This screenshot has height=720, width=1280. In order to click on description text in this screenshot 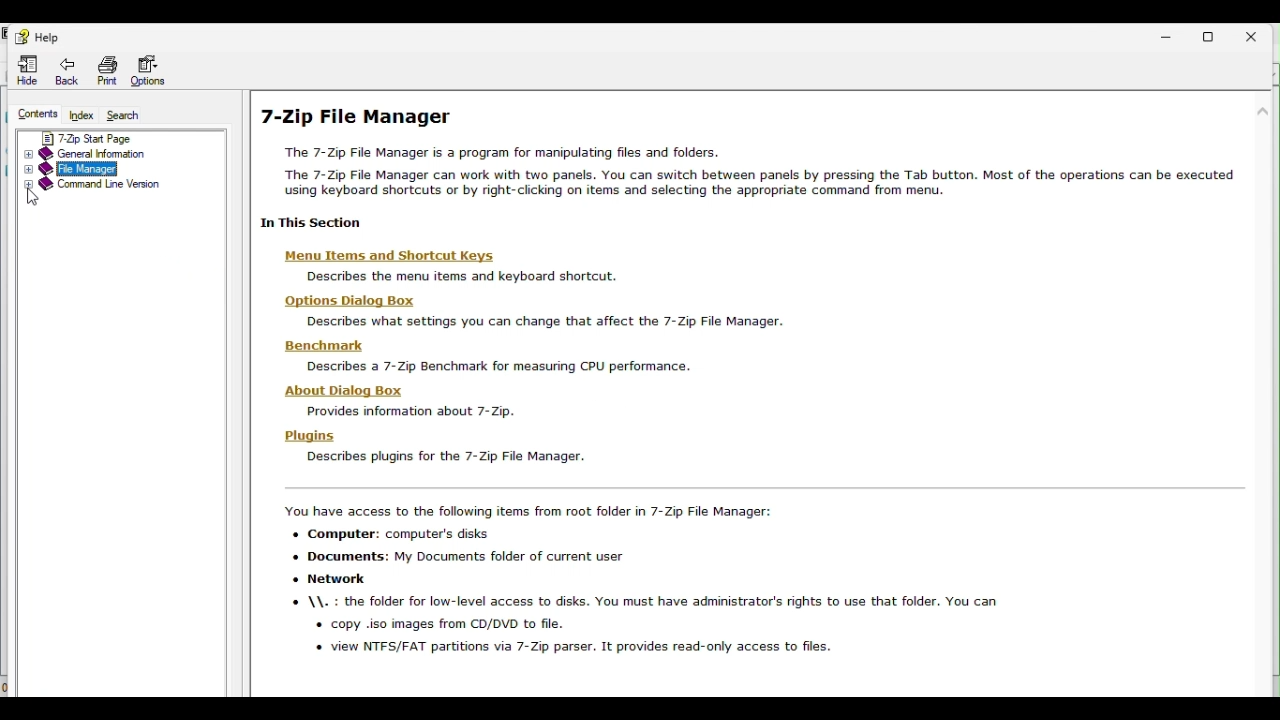, I will do `click(411, 410)`.